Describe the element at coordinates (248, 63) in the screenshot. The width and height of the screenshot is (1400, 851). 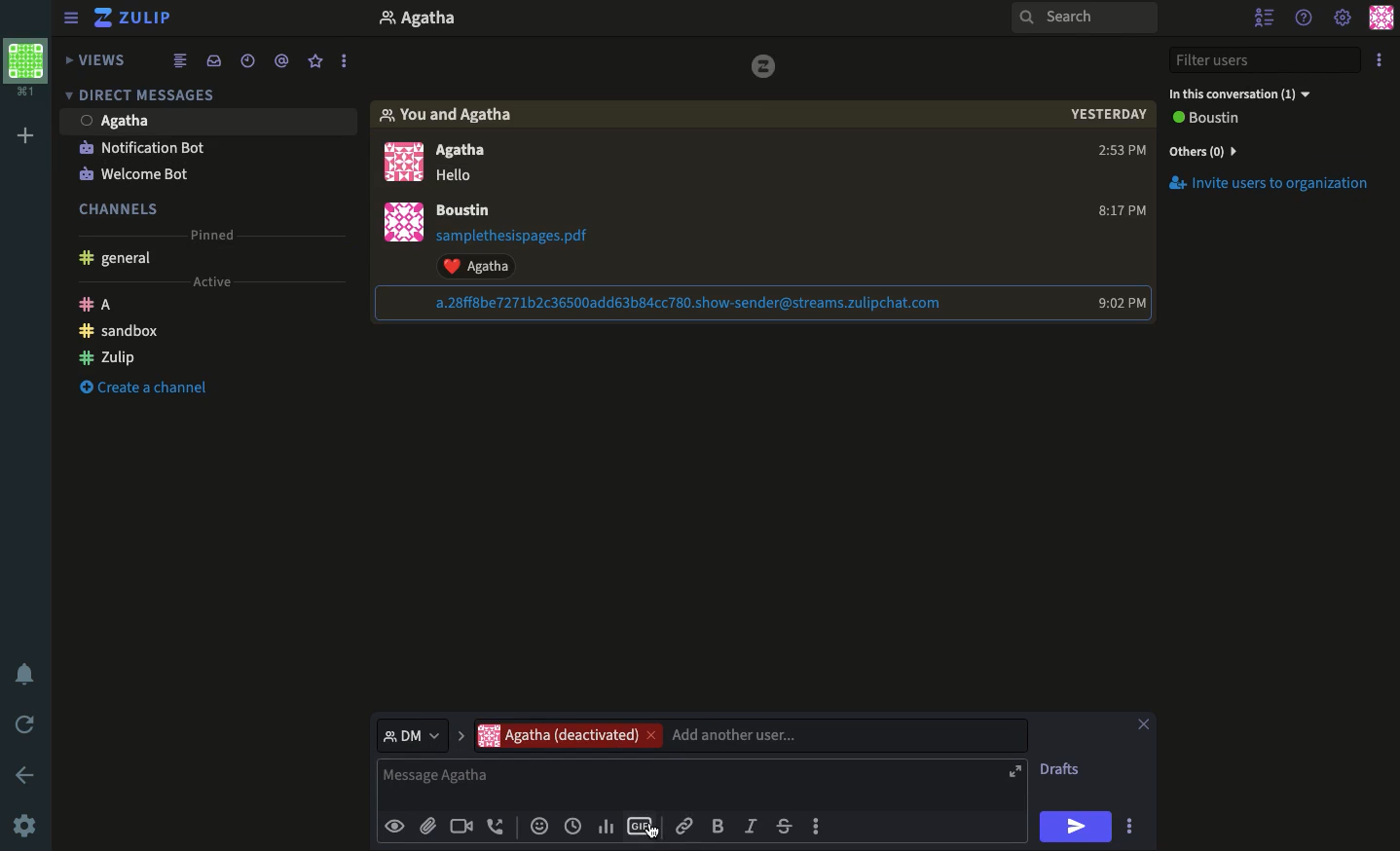
I see `Global time` at that location.